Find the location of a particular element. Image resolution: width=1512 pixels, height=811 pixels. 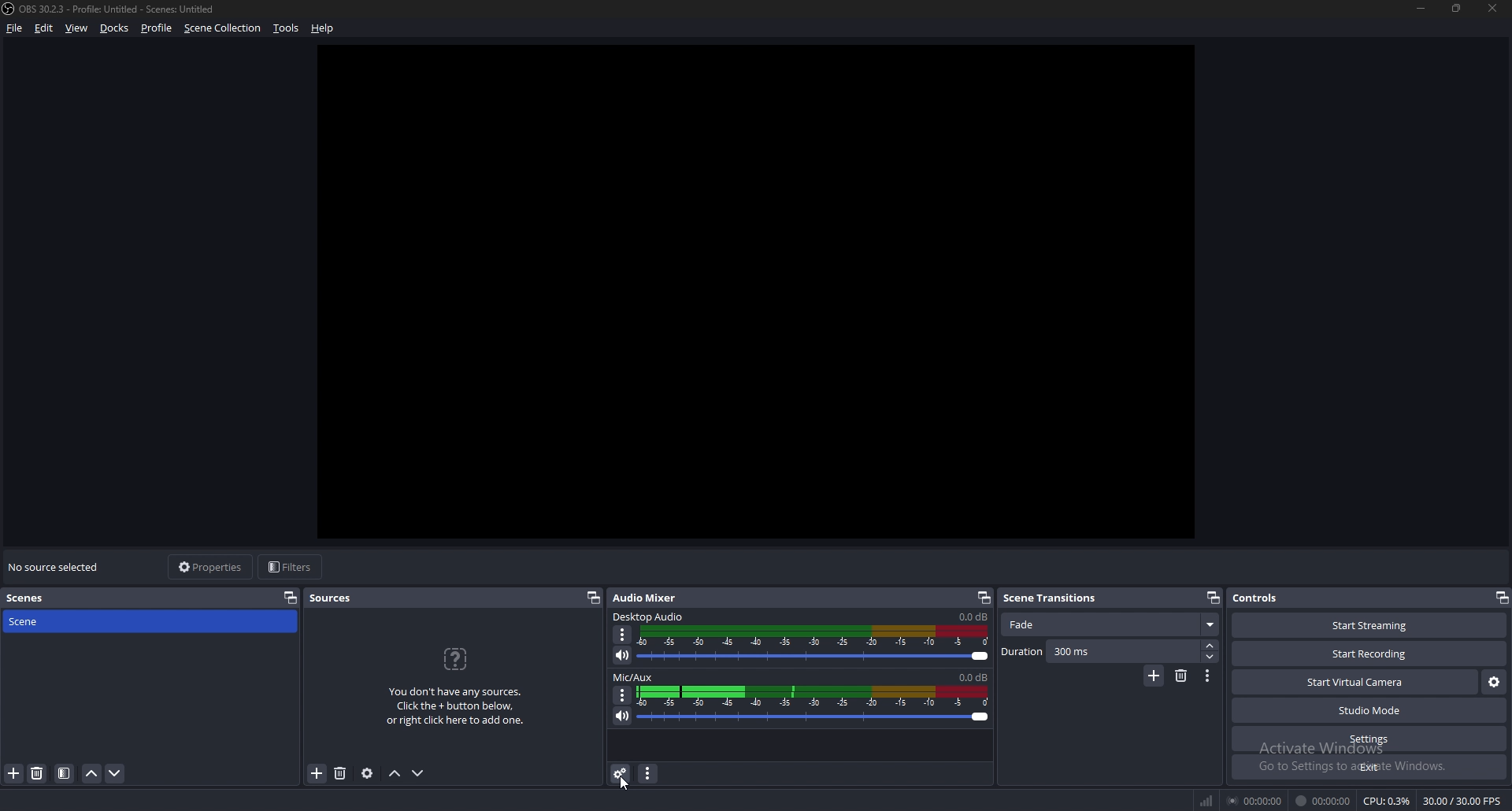

move scene up is located at coordinates (93, 774).